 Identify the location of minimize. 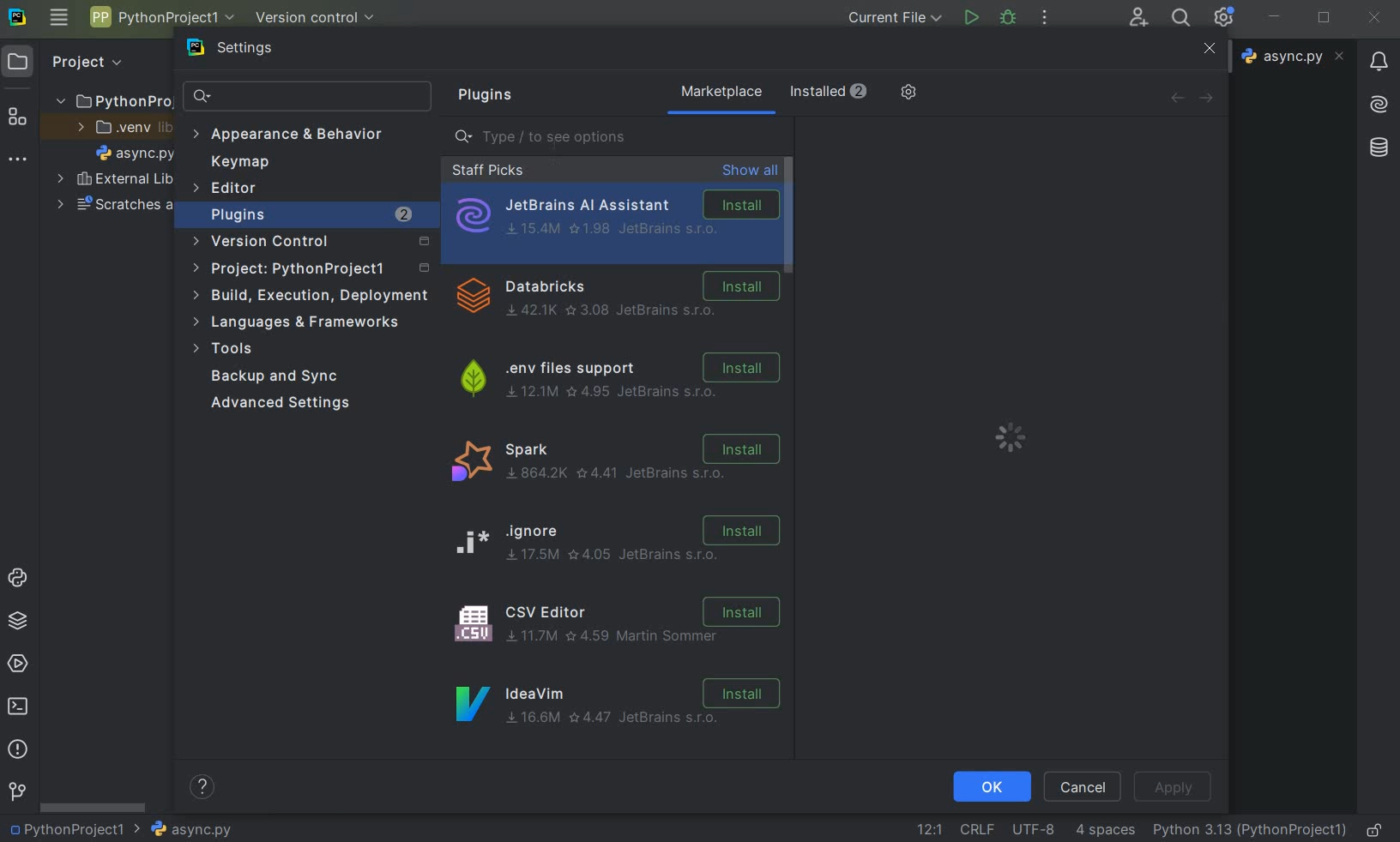
(1276, 18).